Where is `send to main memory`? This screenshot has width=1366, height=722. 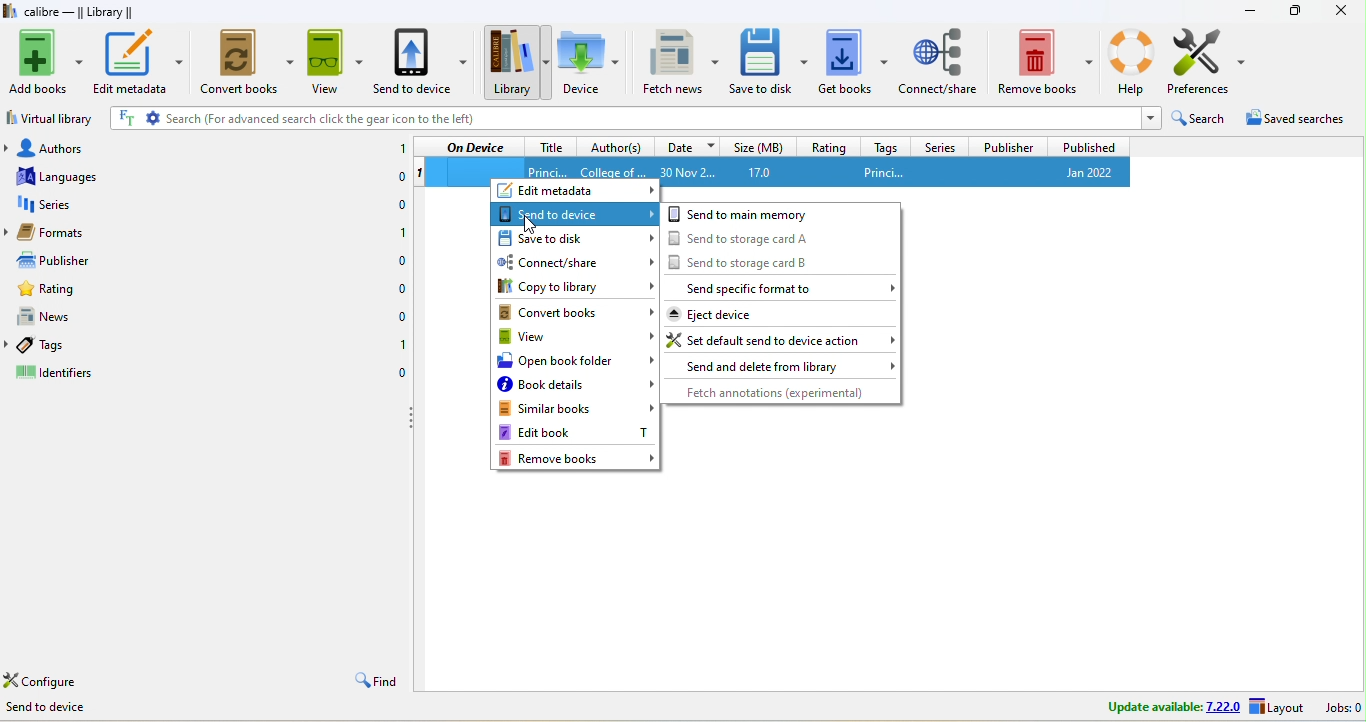
send to main memory is located at coordinates (782, 214).